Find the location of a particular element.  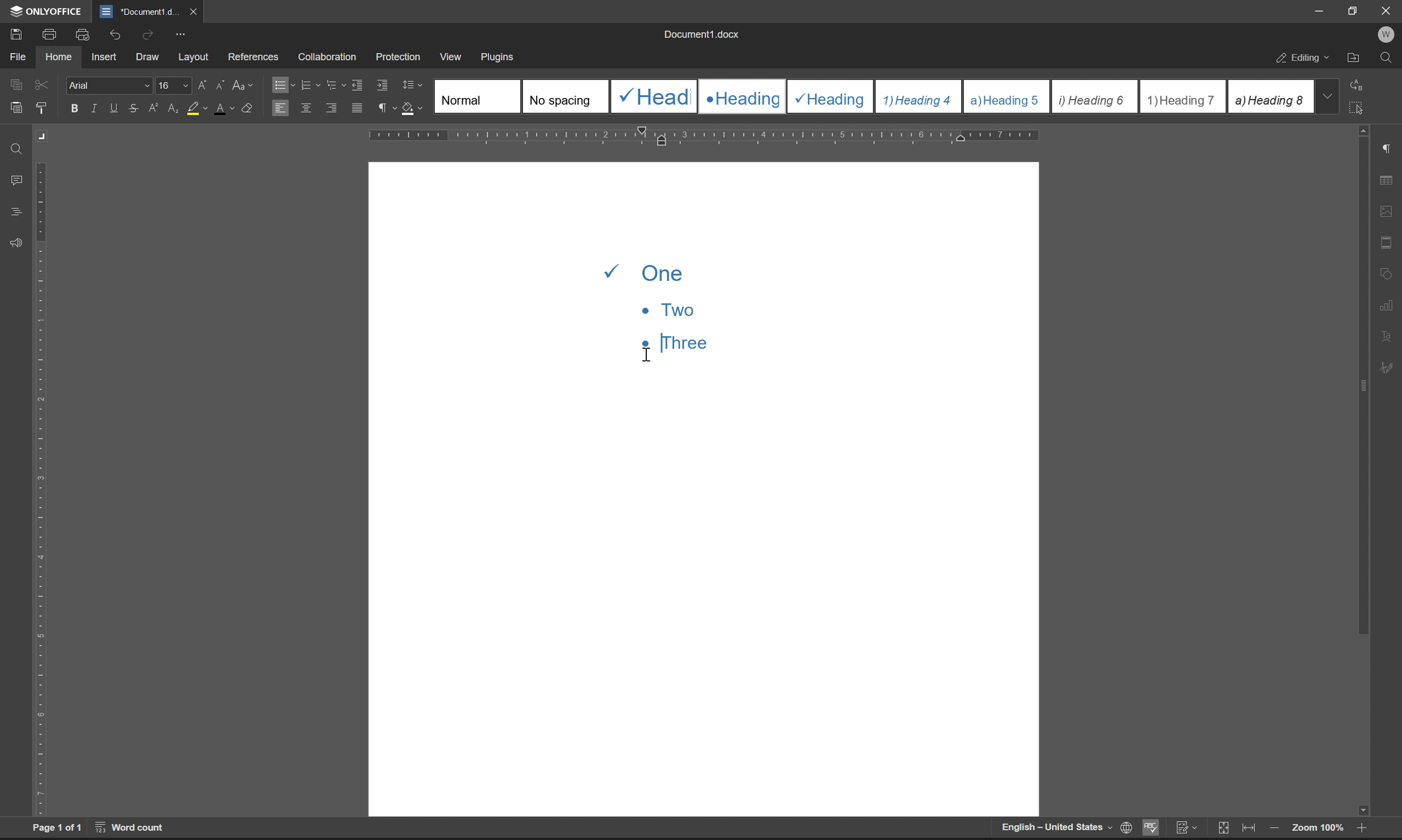

cut is located at coordinates (43, 84).